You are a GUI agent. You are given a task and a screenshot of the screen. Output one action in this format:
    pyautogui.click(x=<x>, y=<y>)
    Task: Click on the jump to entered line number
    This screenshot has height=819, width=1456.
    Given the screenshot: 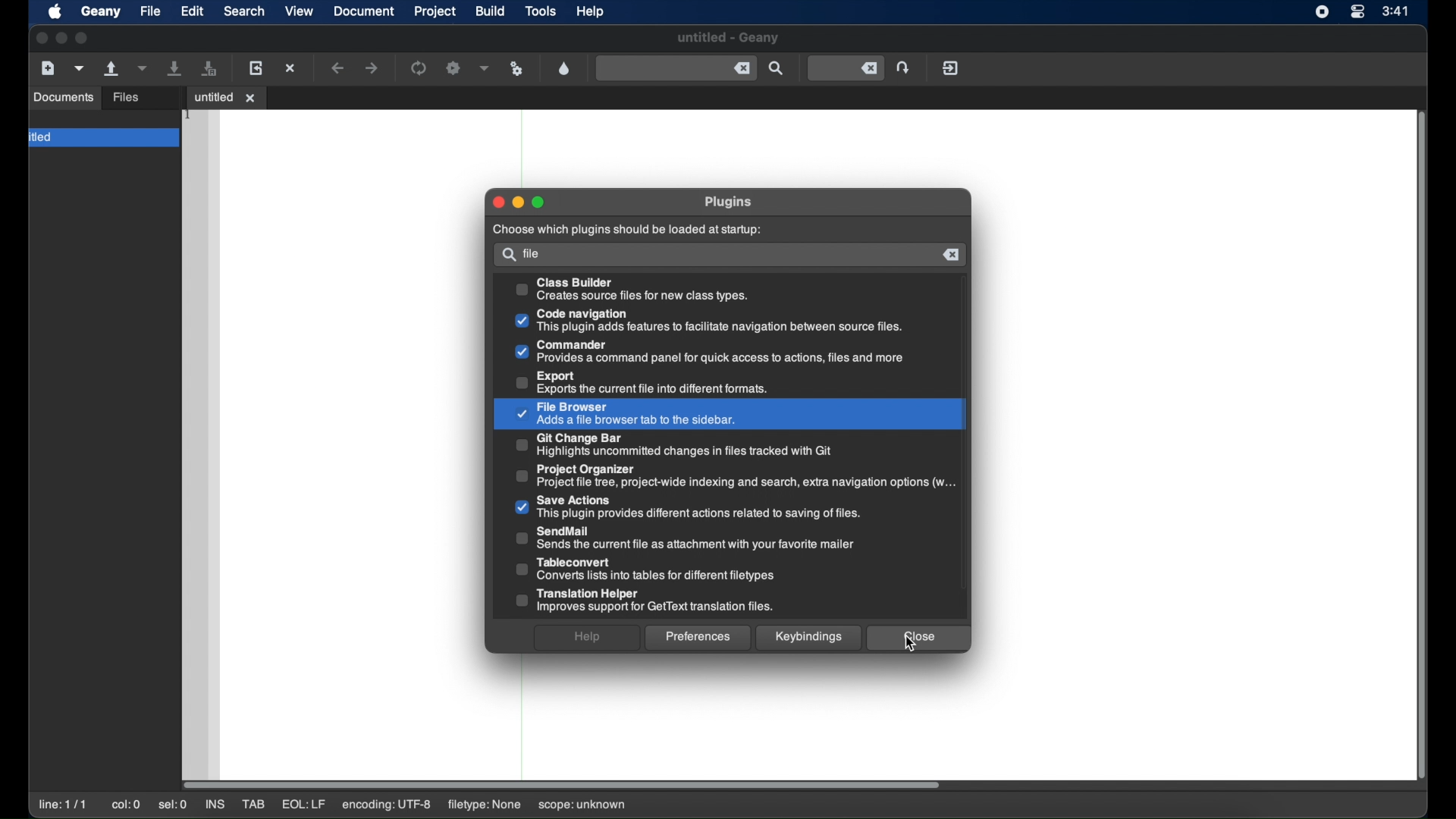 What is the action you would take?
    pyautogui.click(x=846, y=69)
    